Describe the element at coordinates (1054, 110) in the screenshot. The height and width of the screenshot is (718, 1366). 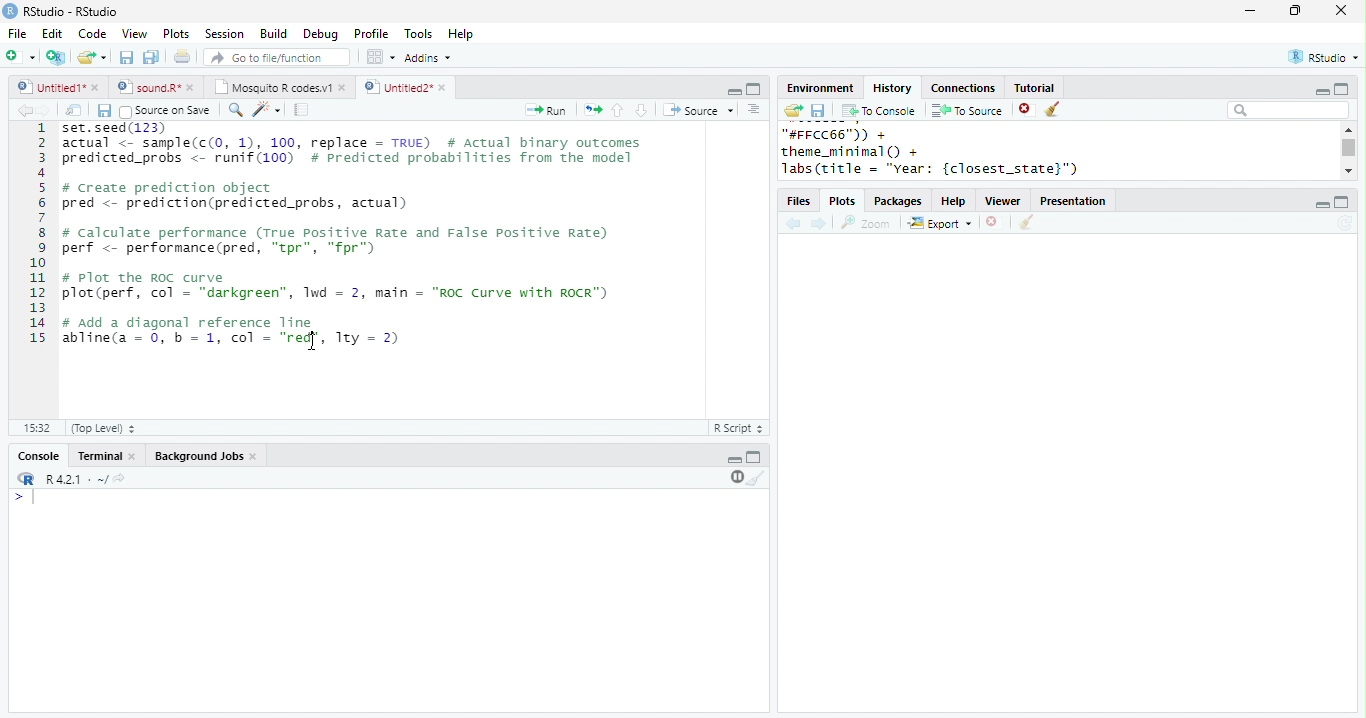
I see `clear` at that location.